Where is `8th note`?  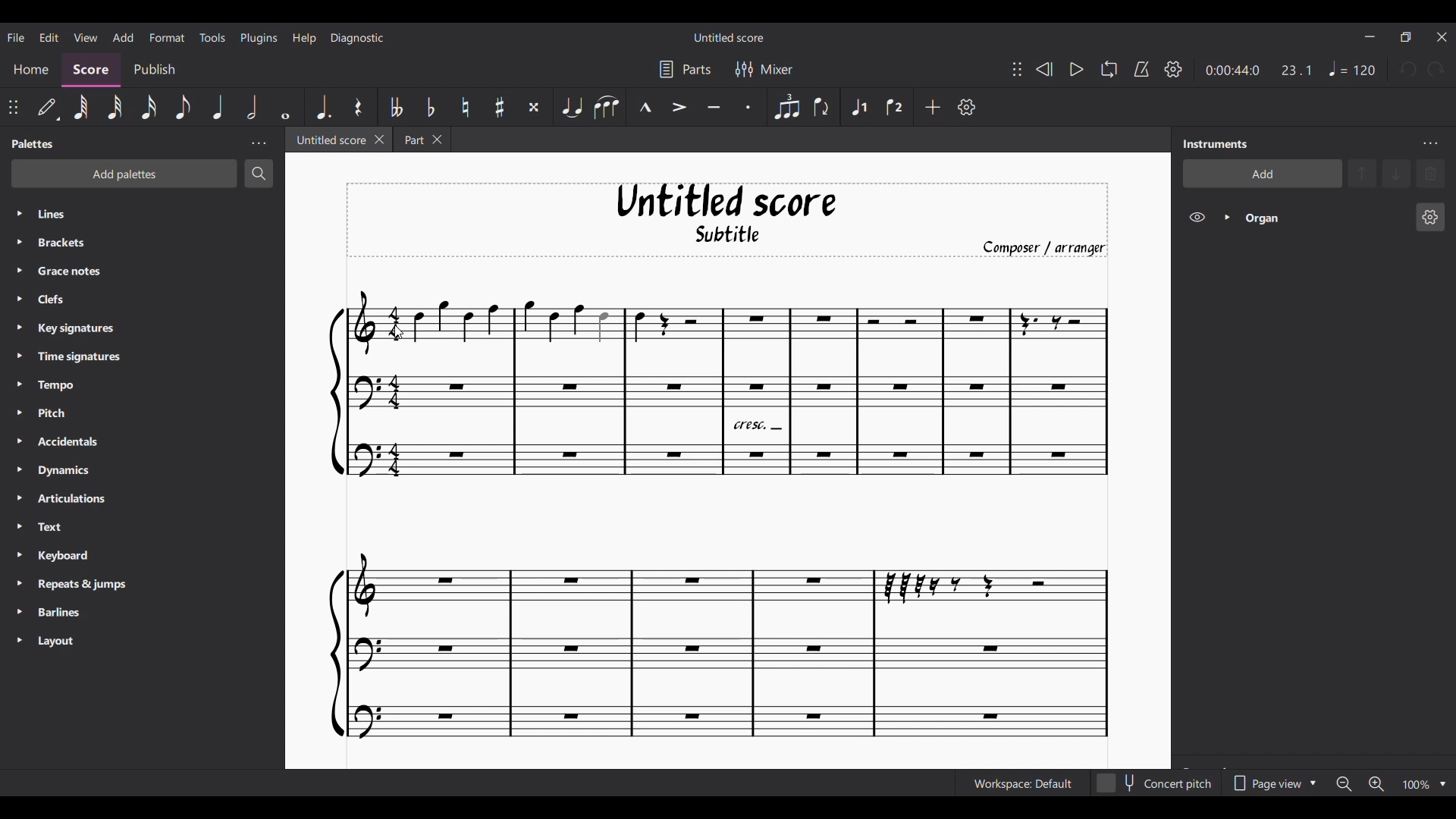
8th note is located at coordinates (182, 108).